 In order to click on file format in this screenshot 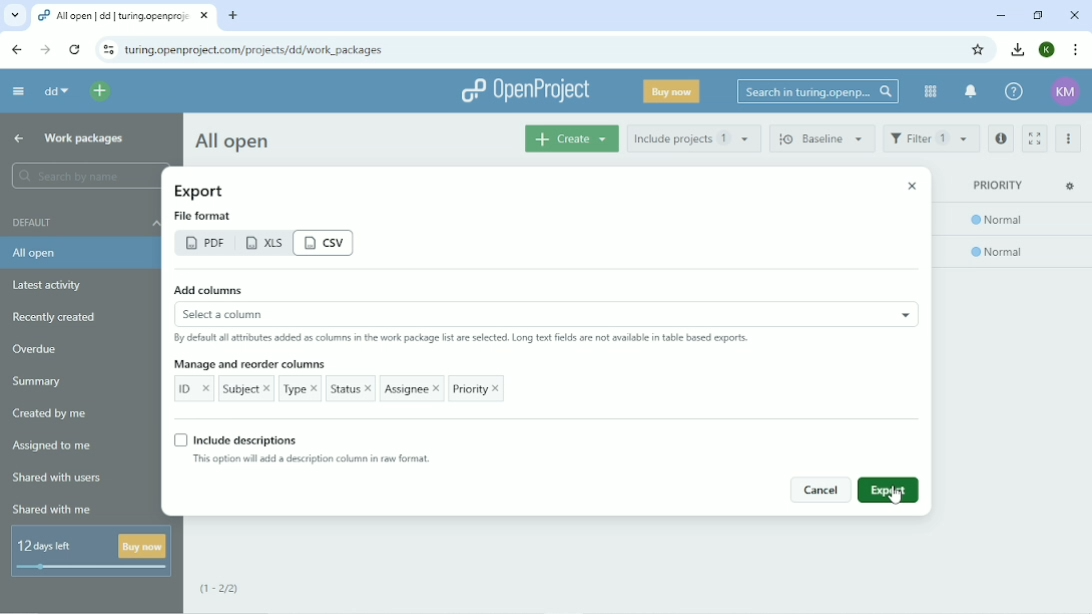, I will do `click(201, 217)`.